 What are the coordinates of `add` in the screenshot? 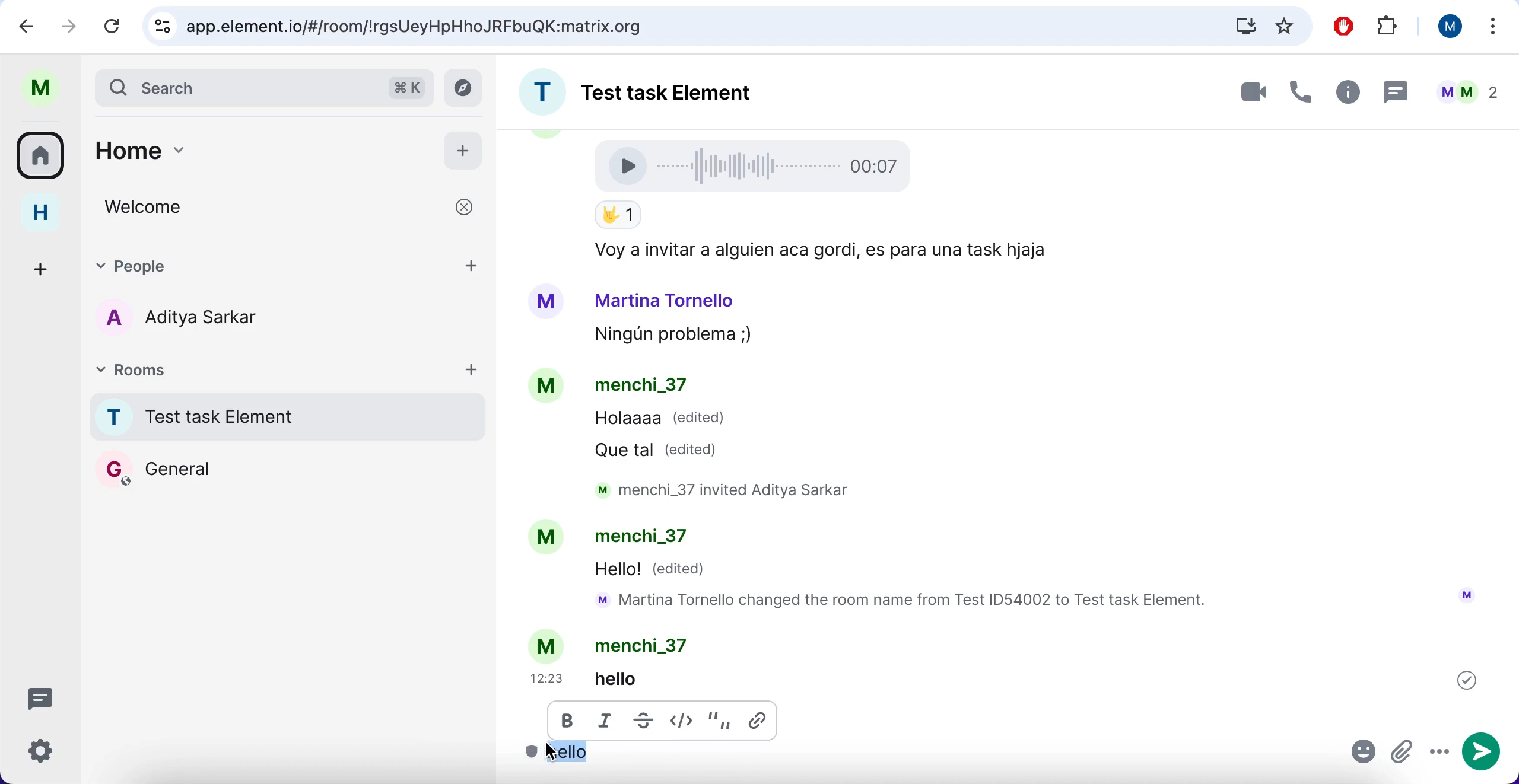 It's located at (473, 264).